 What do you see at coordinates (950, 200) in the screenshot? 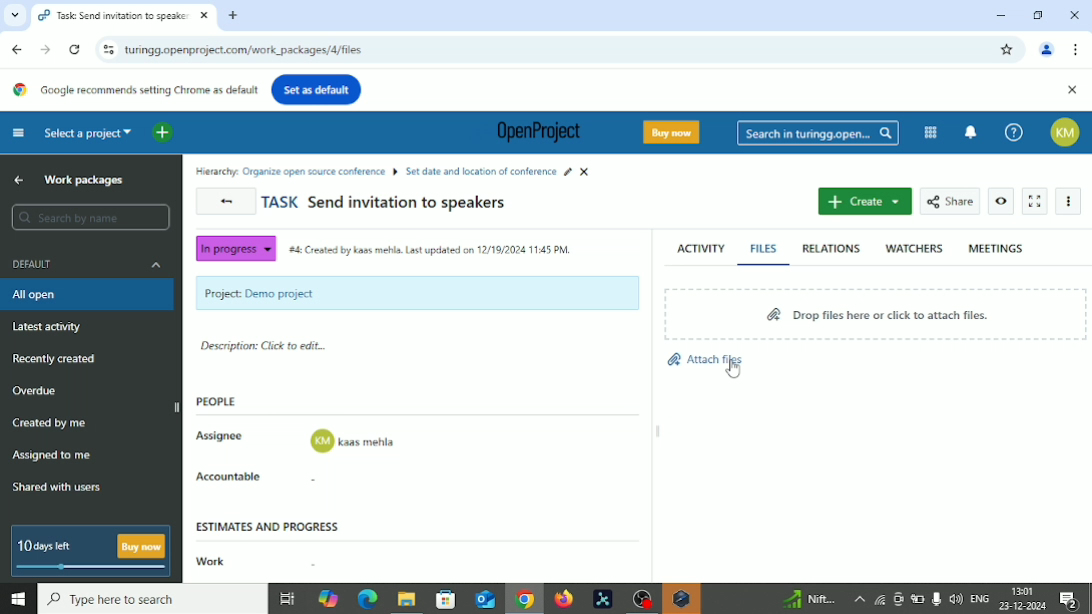
I see `Share` at bounding box center [950, 200].